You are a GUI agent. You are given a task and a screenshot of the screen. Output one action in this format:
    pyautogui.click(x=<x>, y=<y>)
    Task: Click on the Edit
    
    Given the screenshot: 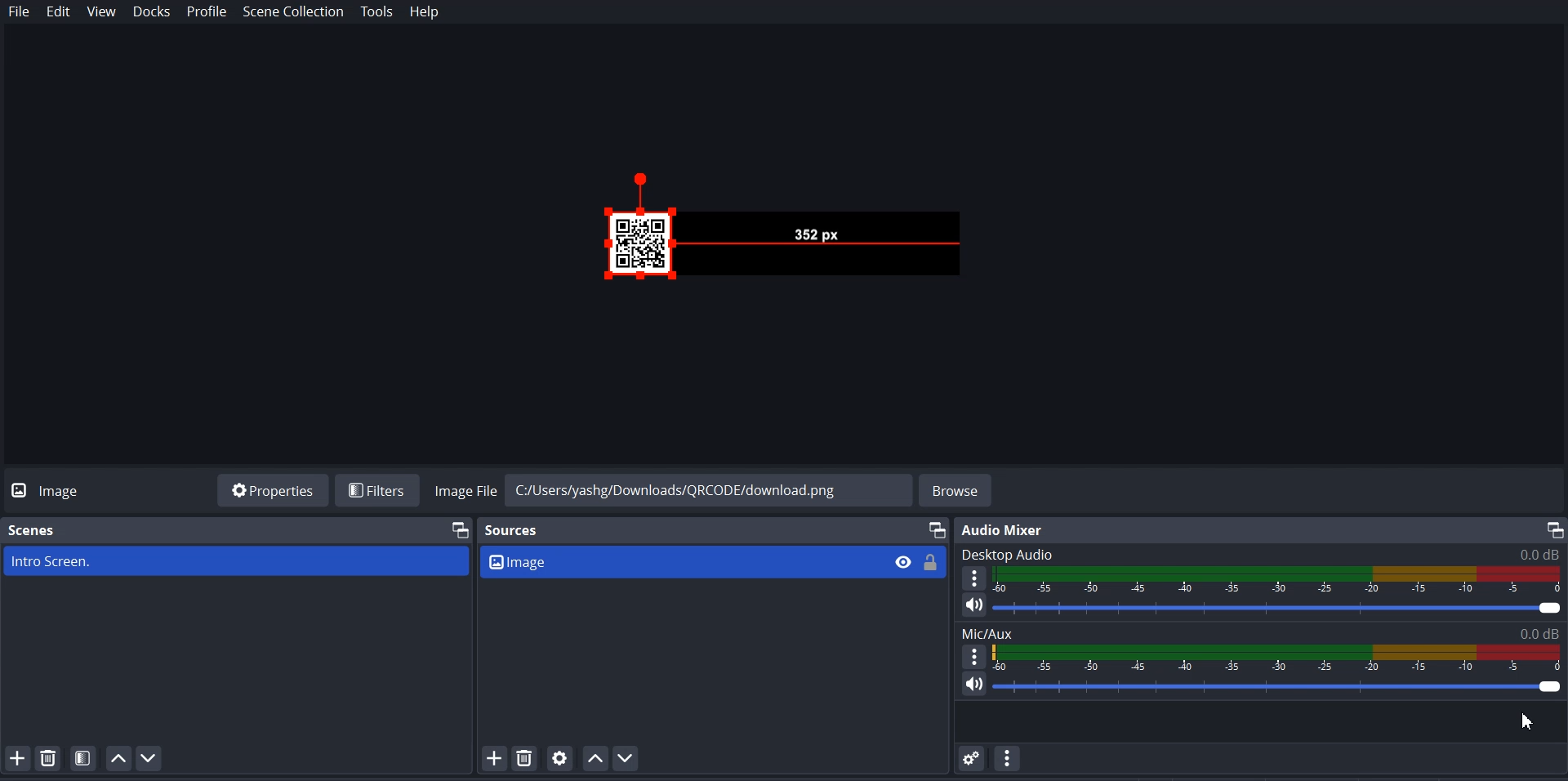 What is the action you would take?
    pyautogui.click(x=58, y=11)
    